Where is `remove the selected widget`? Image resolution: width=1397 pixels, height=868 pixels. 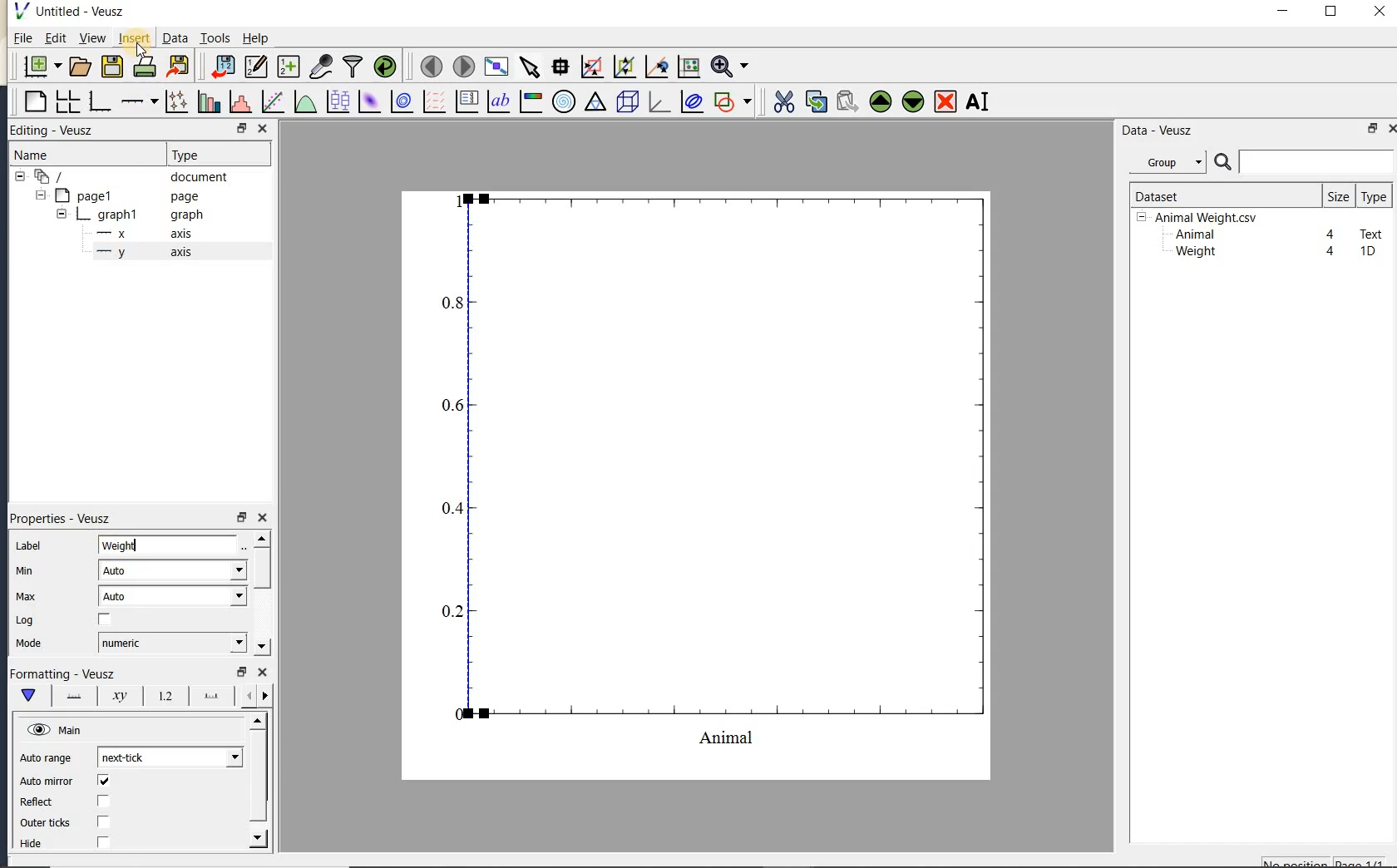 remove the selected widget is located at coordinates (944, 103).